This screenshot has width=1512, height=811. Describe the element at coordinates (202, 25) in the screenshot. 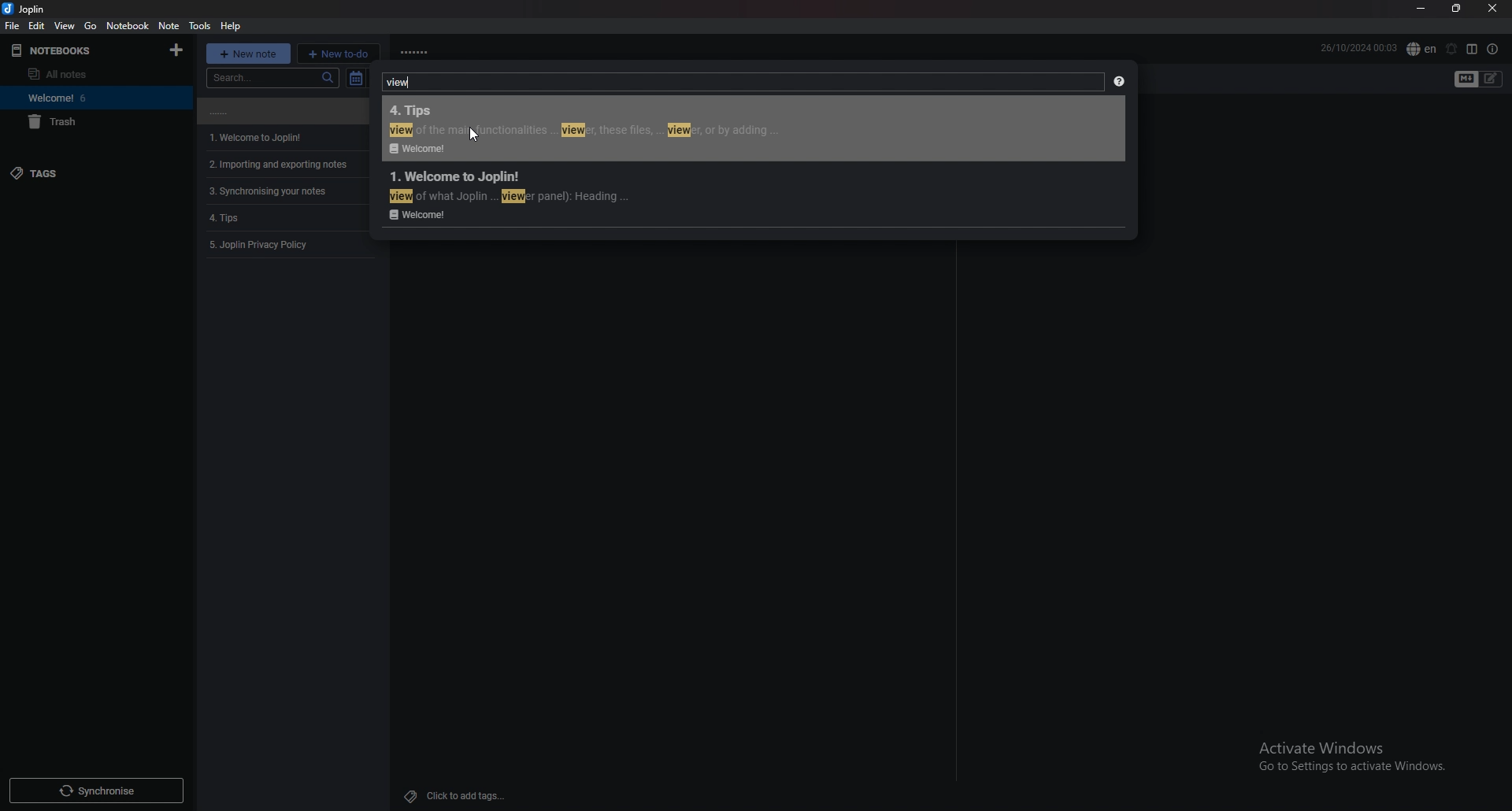

I see `tools` at that location.